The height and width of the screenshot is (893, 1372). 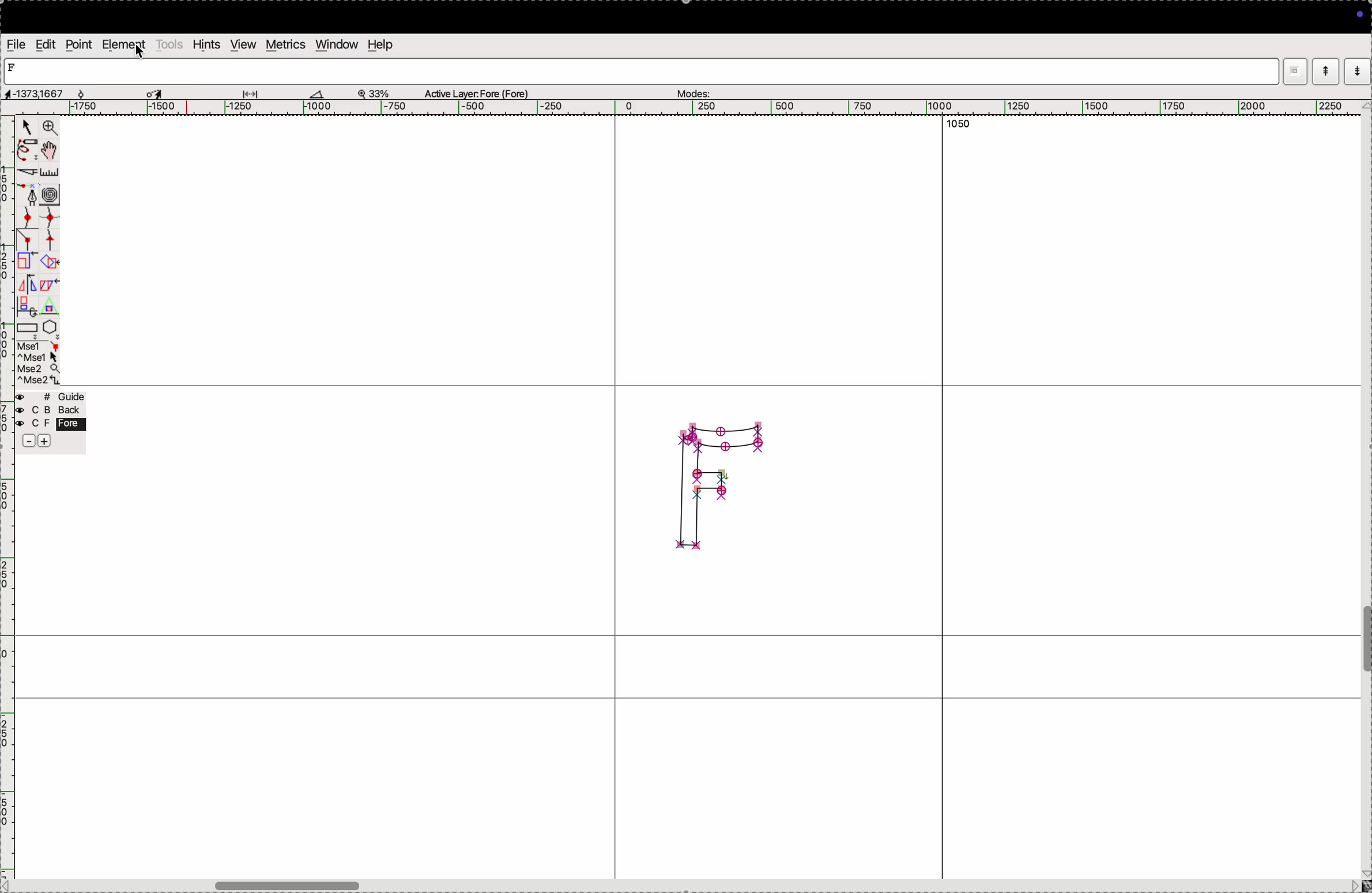 I want to click on metrics, so click(x=287, y=44).